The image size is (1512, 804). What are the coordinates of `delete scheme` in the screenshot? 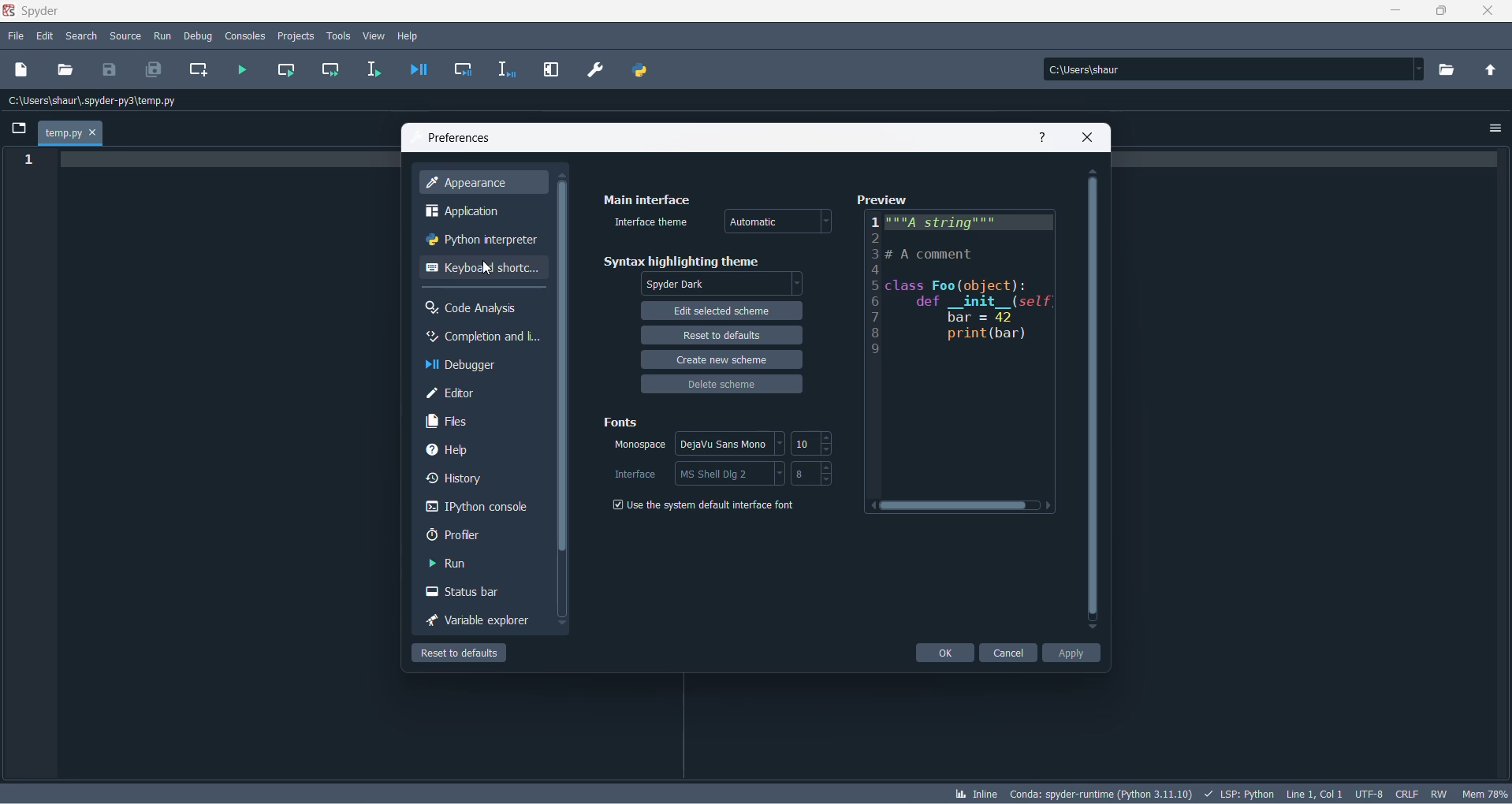 It's located at (720, 385).